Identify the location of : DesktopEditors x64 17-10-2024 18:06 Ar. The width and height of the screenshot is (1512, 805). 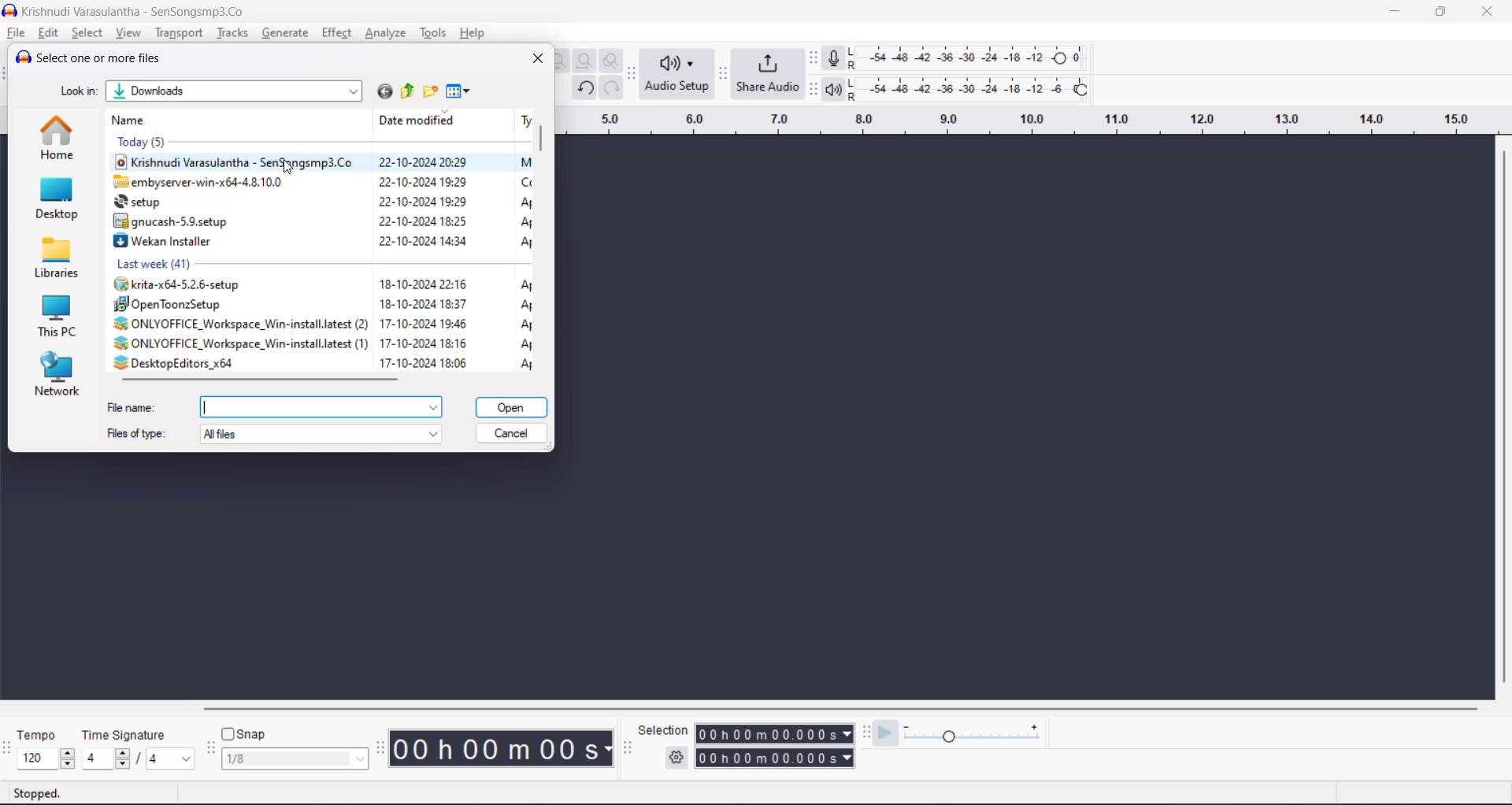
(323, 362).